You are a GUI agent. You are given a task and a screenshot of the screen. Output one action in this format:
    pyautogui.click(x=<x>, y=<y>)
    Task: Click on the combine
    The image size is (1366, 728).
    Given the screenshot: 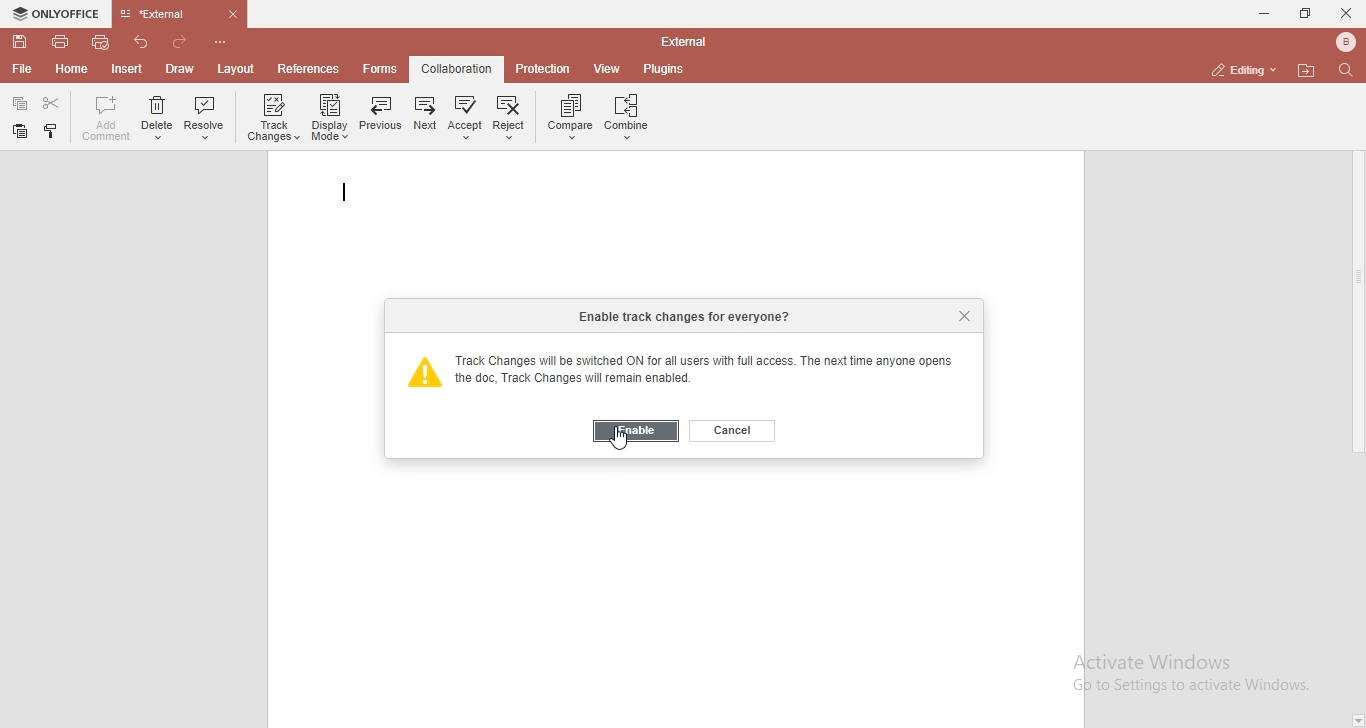 What is the action you would take?
    pyautogui.click(x=629, y=117)
    